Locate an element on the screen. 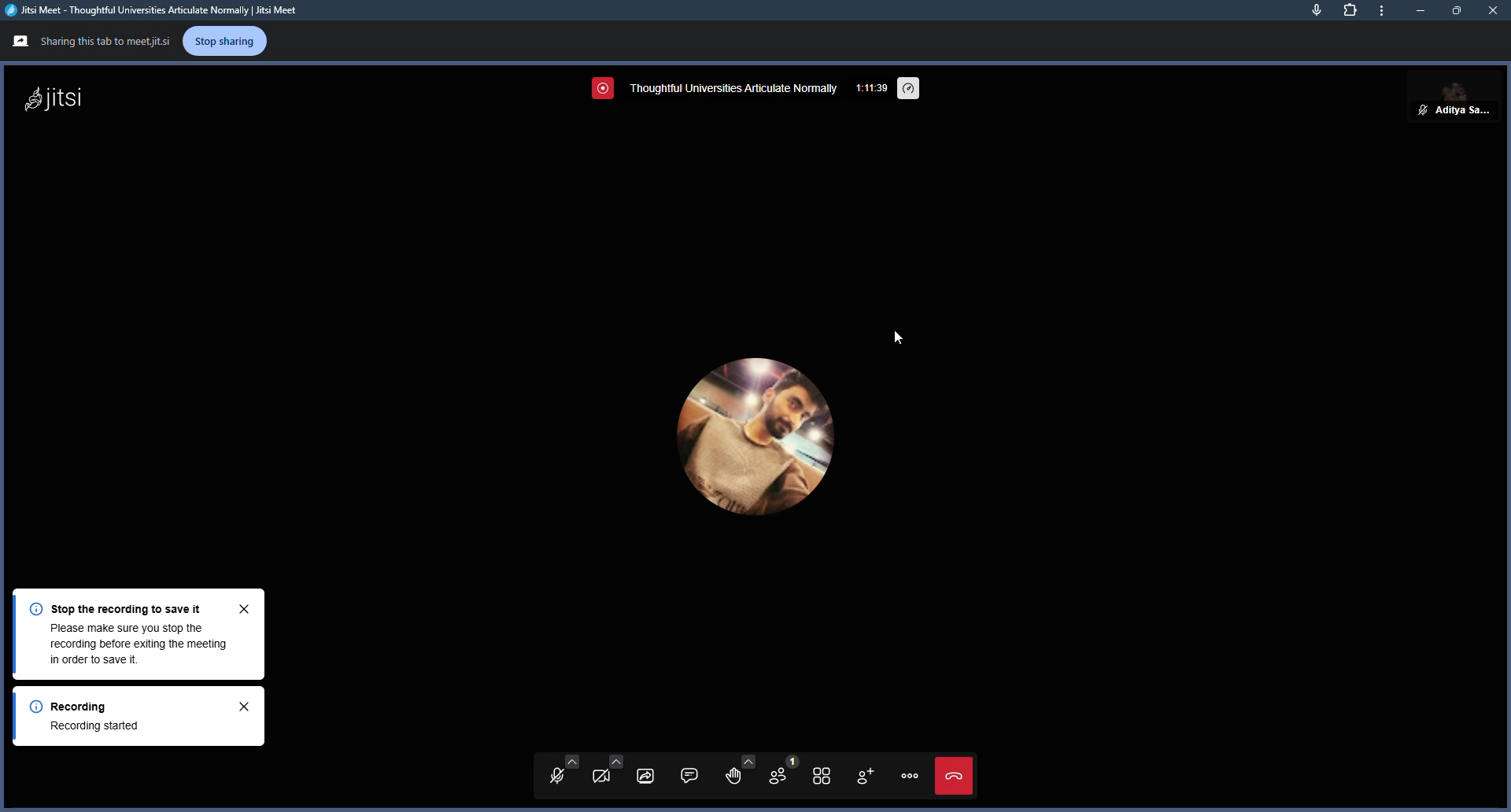 The image size is (1511, 812). aditya sarkar is located at coordinates (1456, 96).